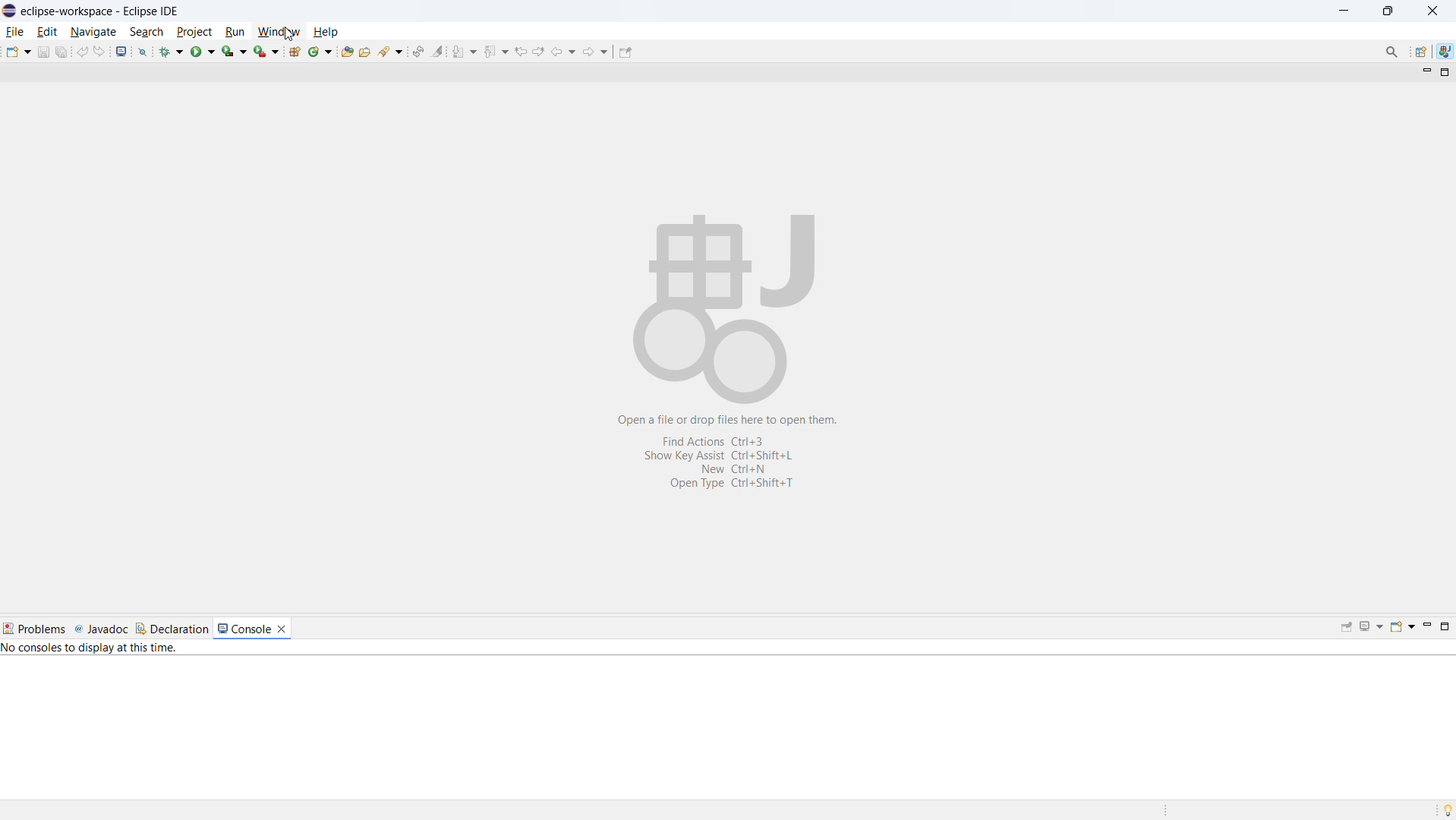 This screenshot has height=820, width=1456. What do you see at coordinates (17, 52) in the screenshot?
I see `new` at bounding box center [17, 52].